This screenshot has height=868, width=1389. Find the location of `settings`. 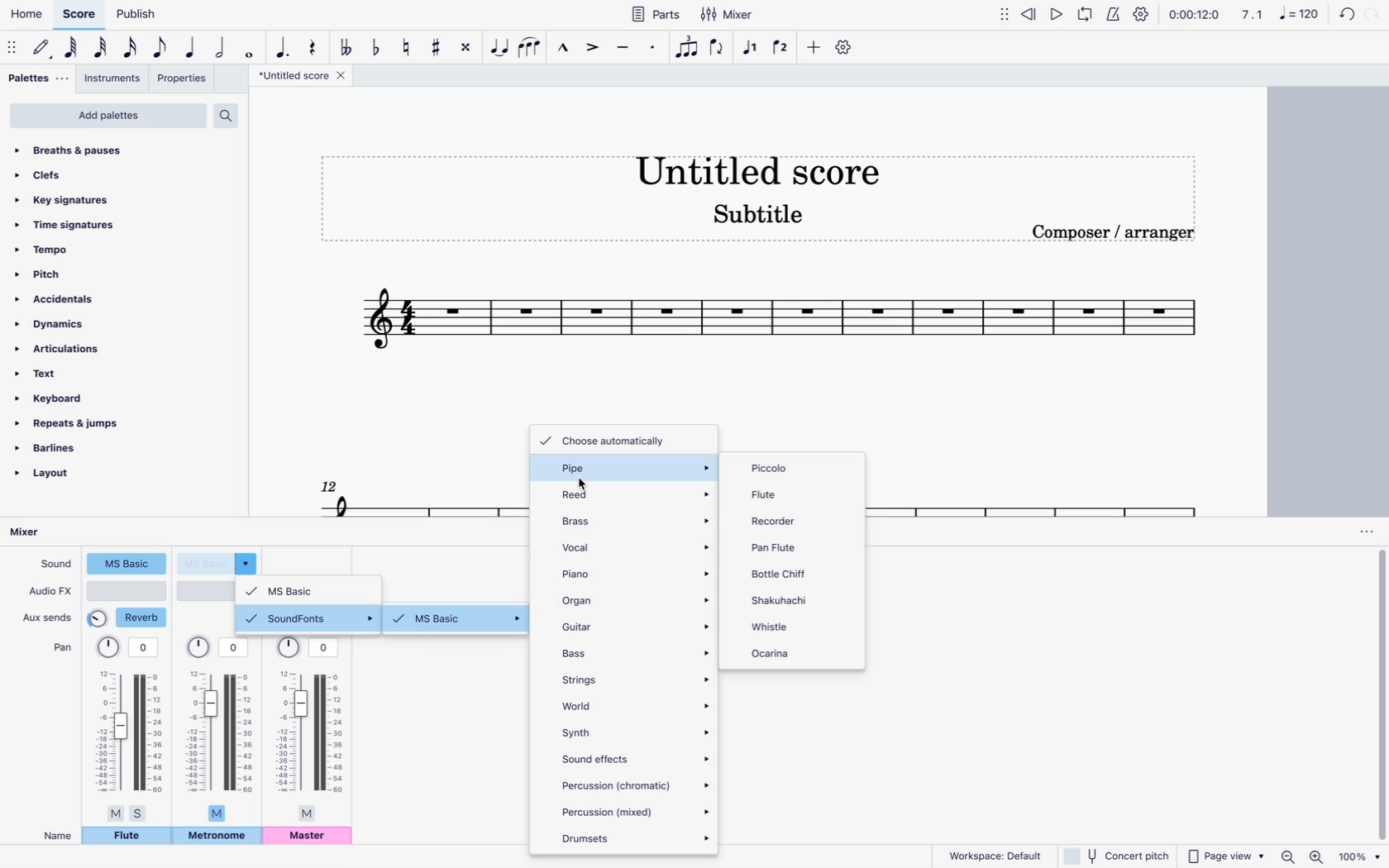

settings is located at coordinates (1140, 13).